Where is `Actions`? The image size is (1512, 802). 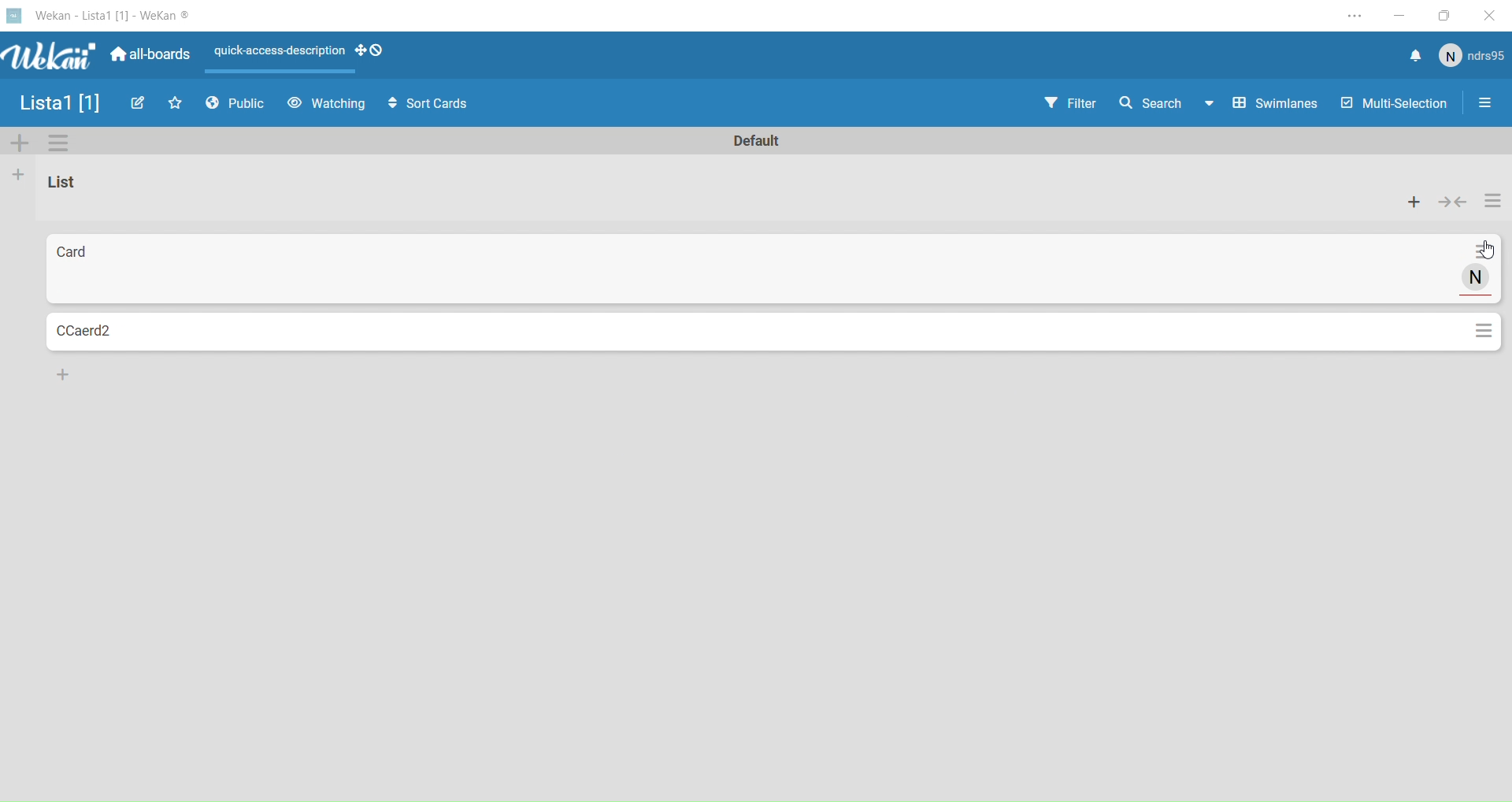 Actions is located at coordinates (1432, 202).